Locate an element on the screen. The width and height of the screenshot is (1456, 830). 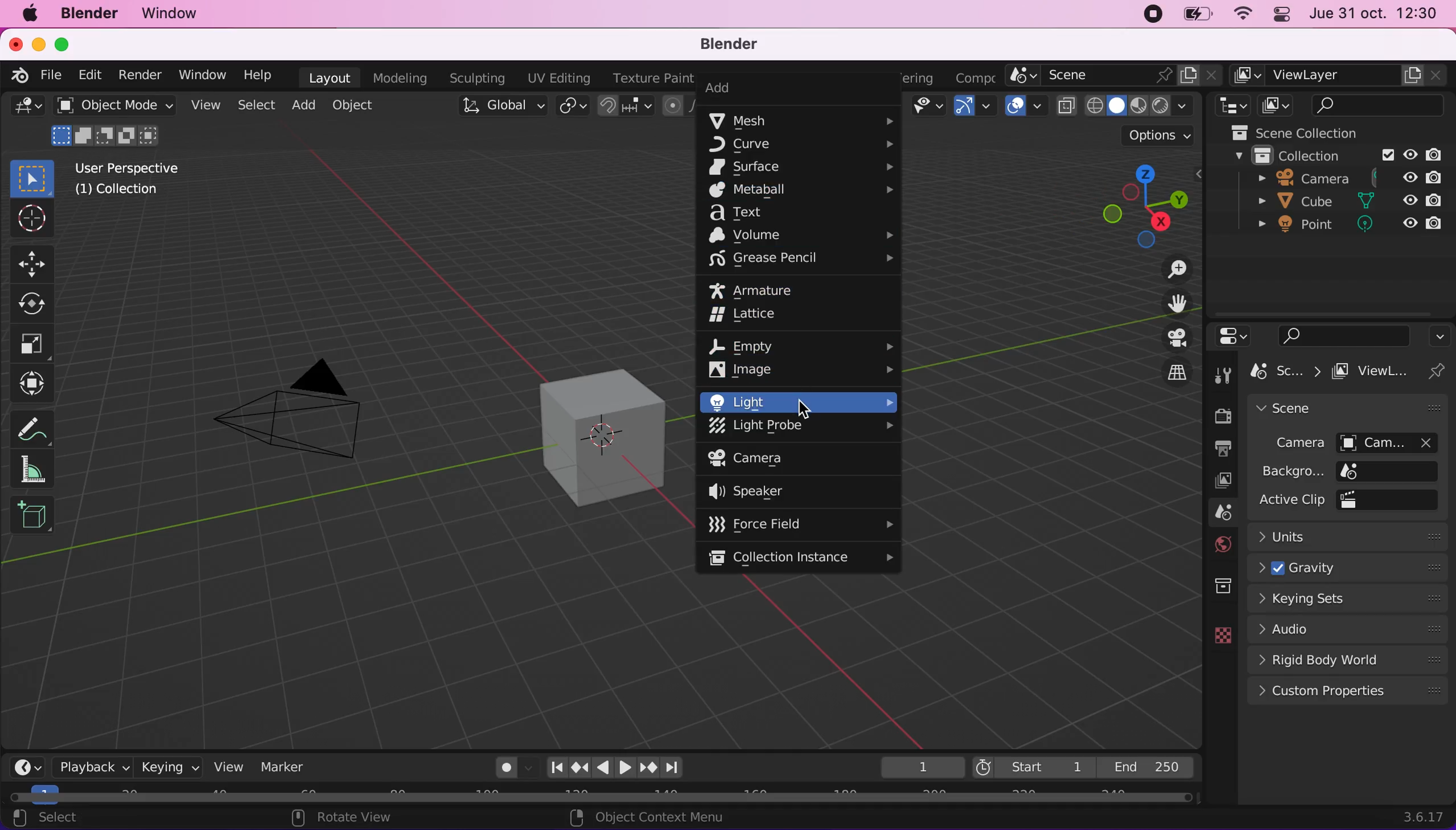
gravity is located at coordinates (1352, 568).